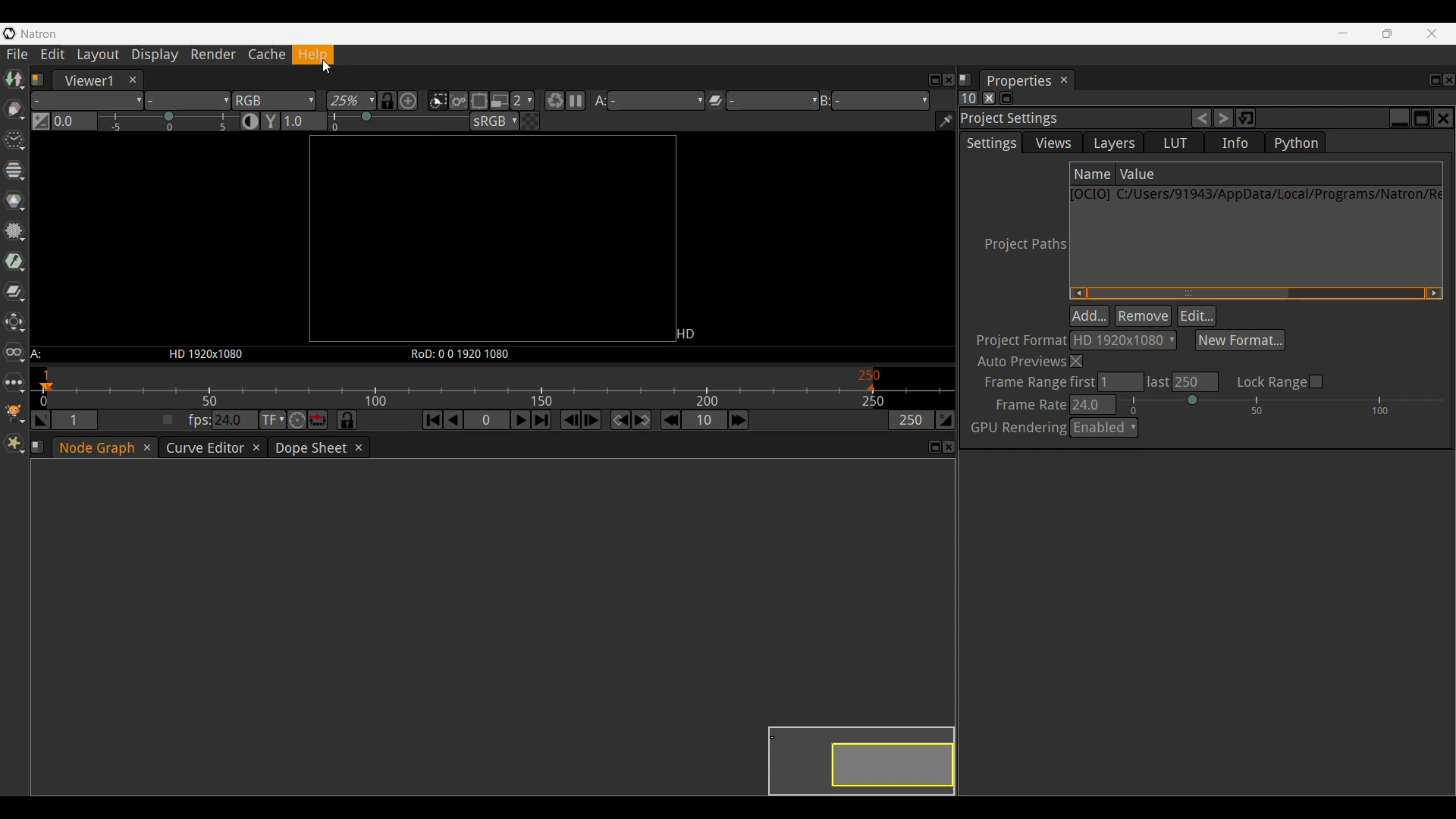  I want to click on Display menu, so click(155, 55).